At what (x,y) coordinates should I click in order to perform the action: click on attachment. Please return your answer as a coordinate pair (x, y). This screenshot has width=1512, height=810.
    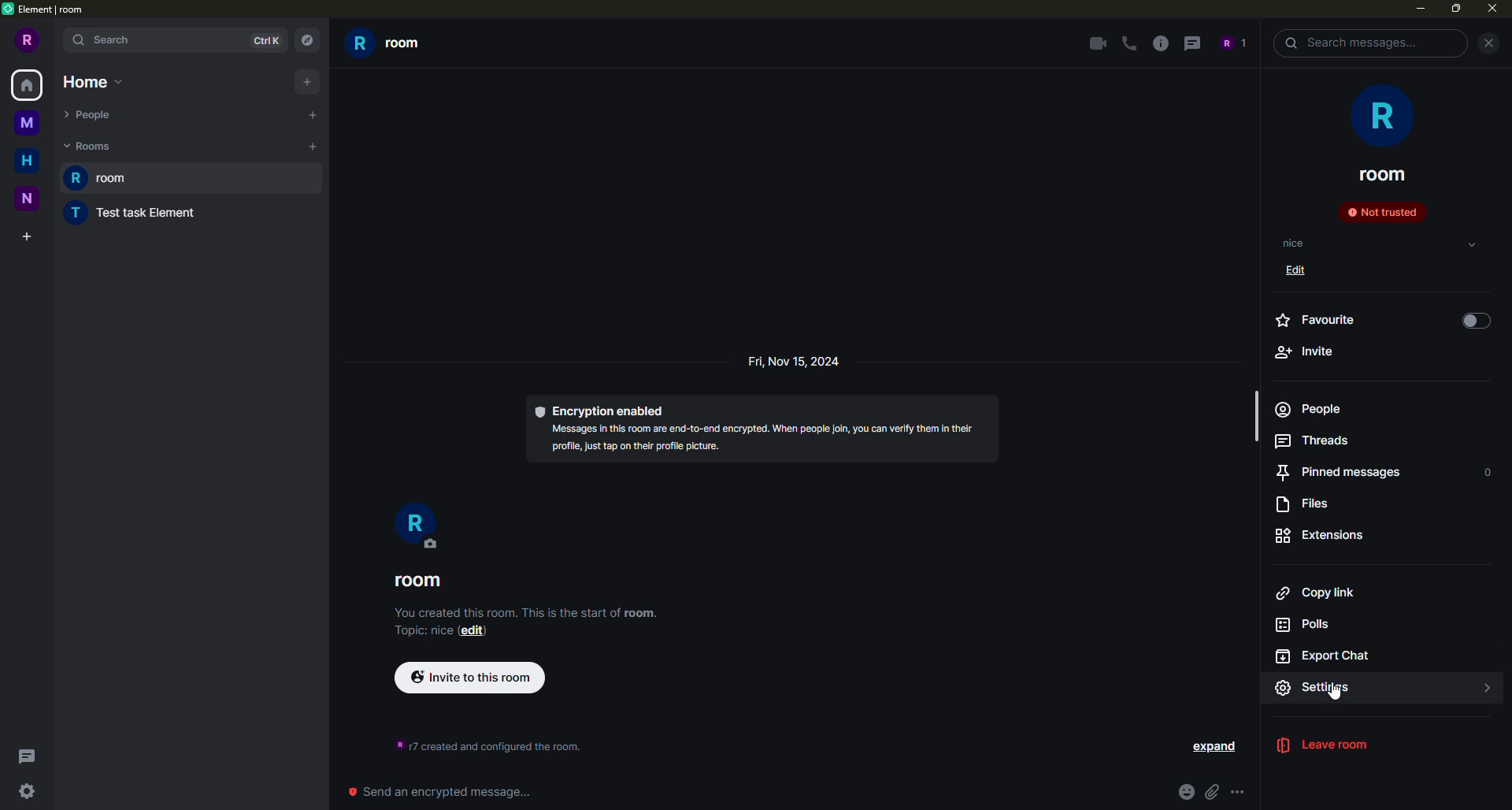
    Looking at the image, I should click on (1214, 791).